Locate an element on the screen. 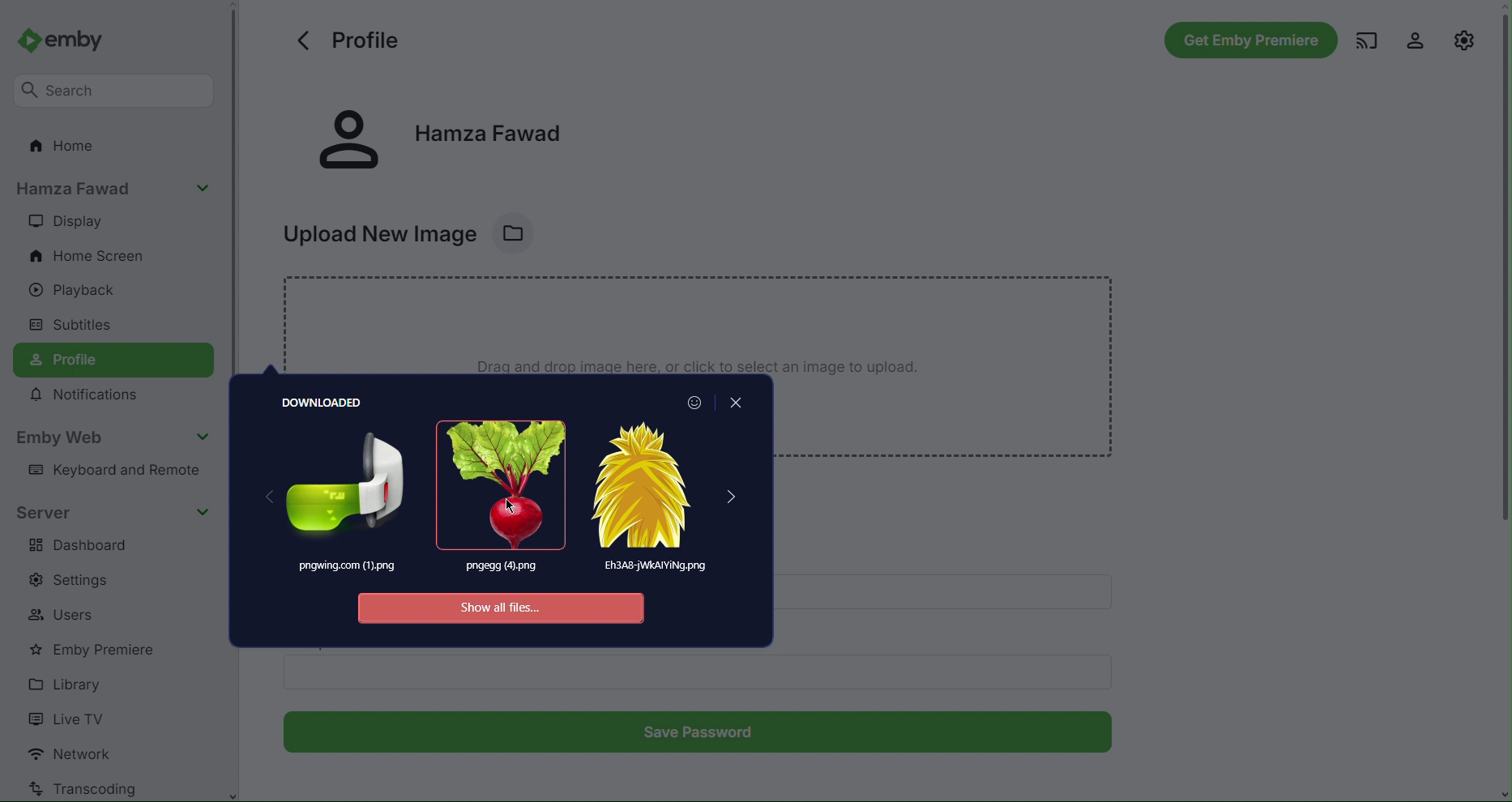  Playback is located at coordinates (81, 292).